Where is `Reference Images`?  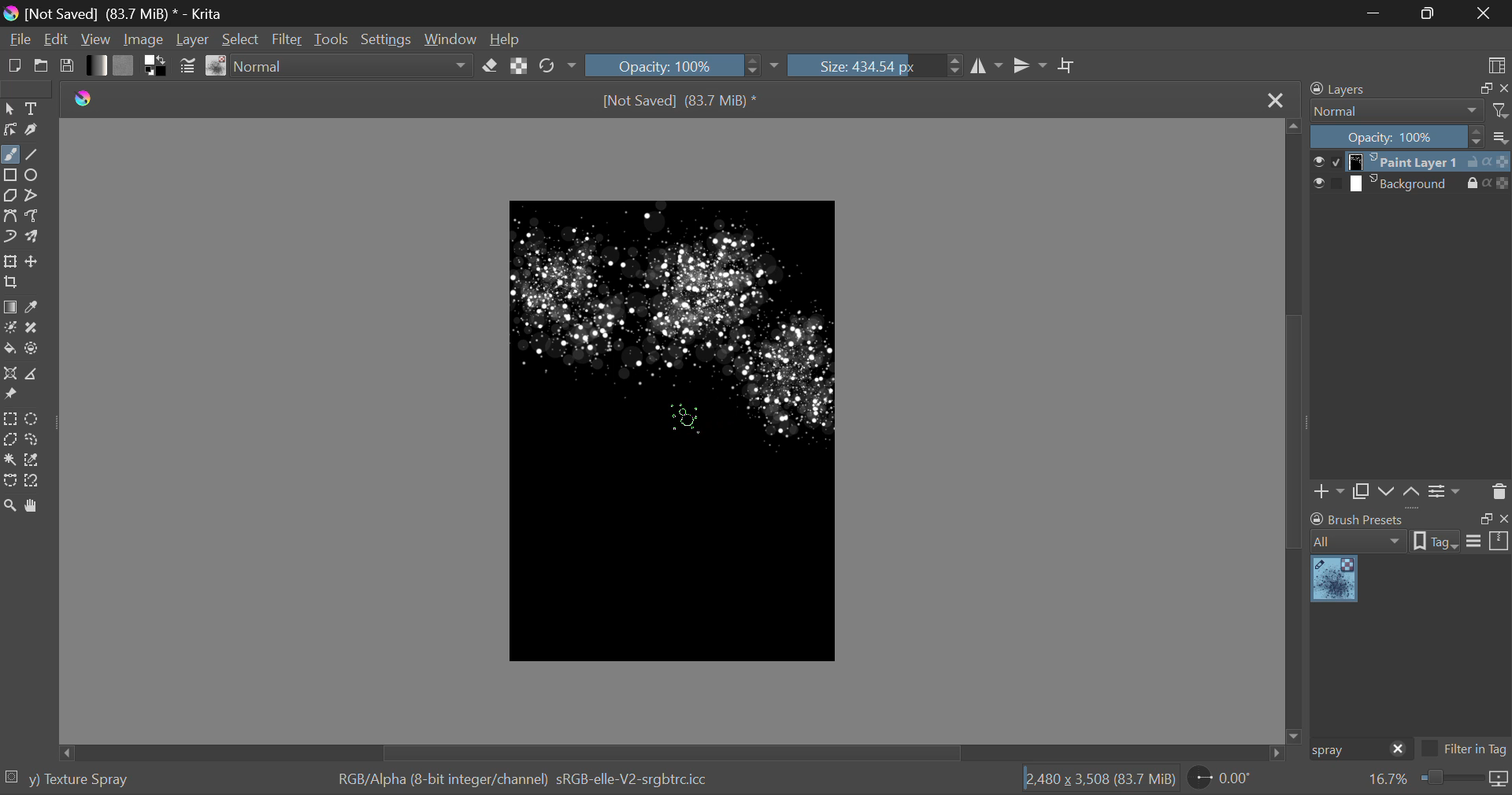 Reference Images is located at coordinates (9, 394).